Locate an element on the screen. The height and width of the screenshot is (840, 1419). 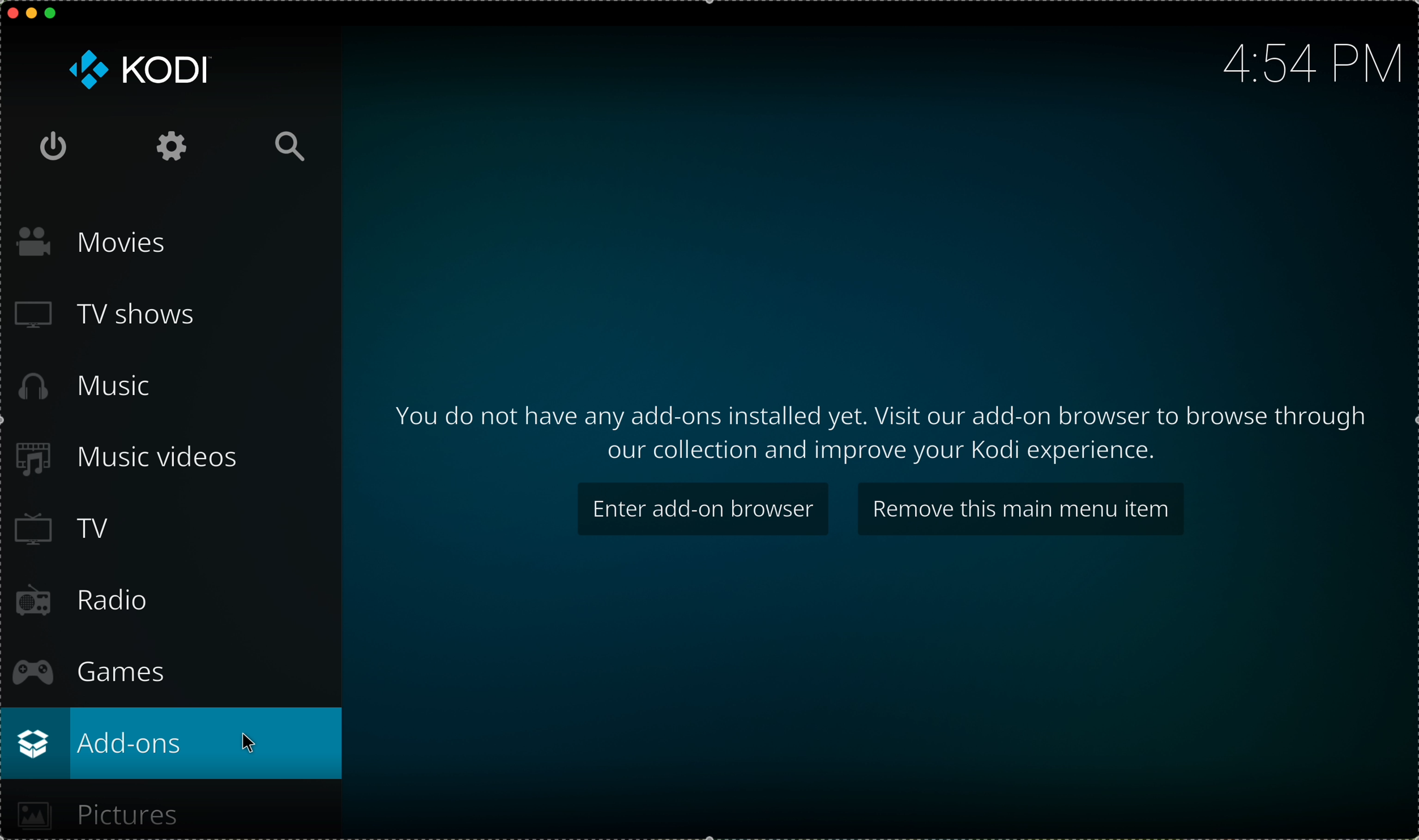
note is located at coordinates (875, 428).